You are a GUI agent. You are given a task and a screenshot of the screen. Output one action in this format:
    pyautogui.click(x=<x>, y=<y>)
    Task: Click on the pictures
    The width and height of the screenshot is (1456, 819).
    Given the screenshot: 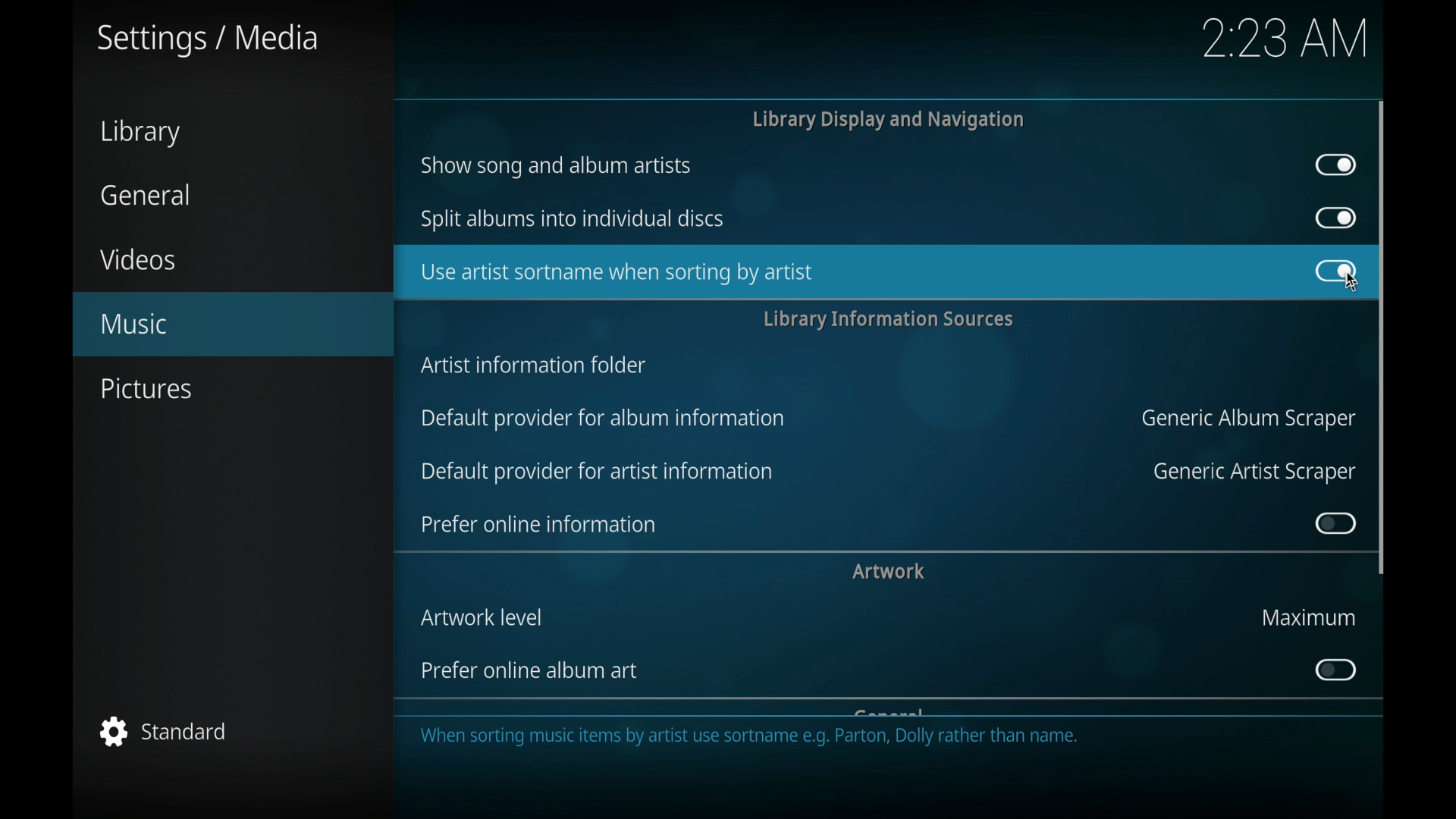 What is the action you would take?
    pyautogui.click(x=149, y=389)
    